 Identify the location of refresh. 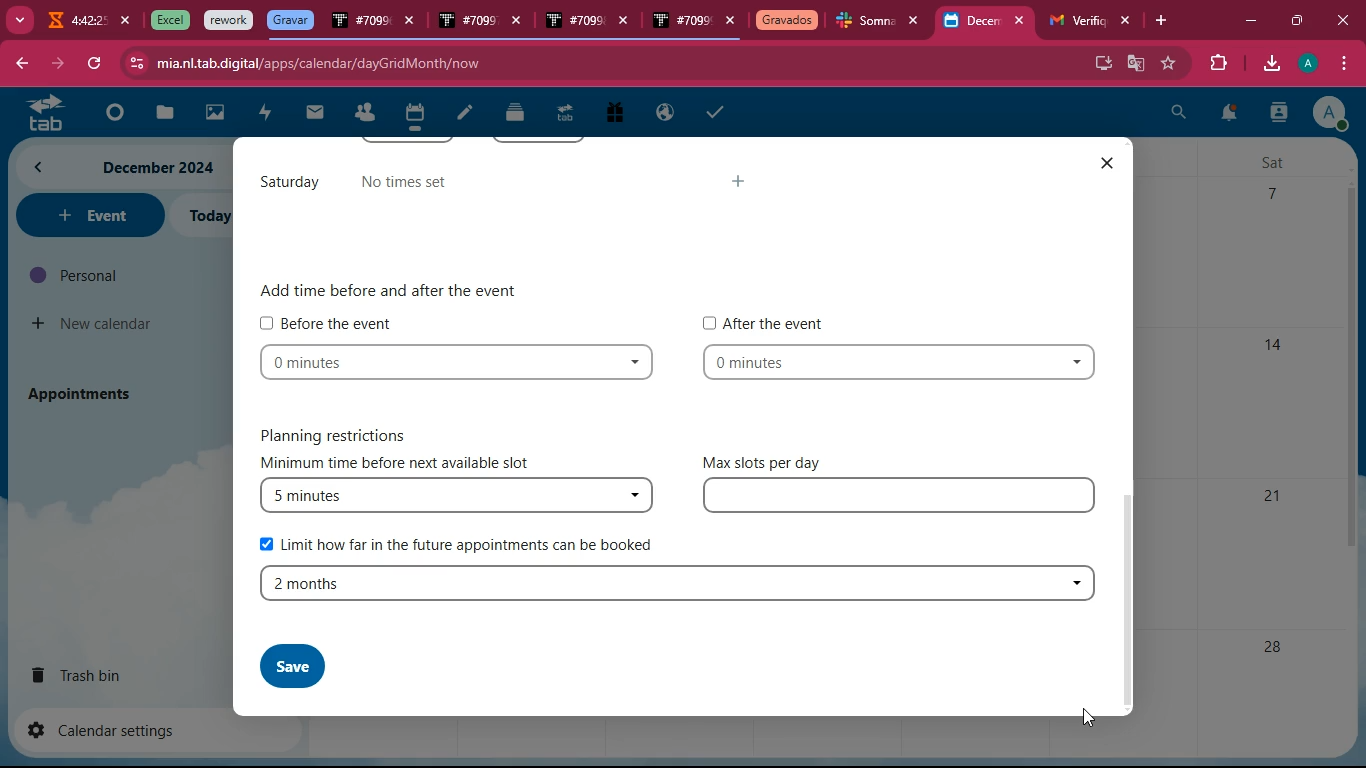
(94, 64).